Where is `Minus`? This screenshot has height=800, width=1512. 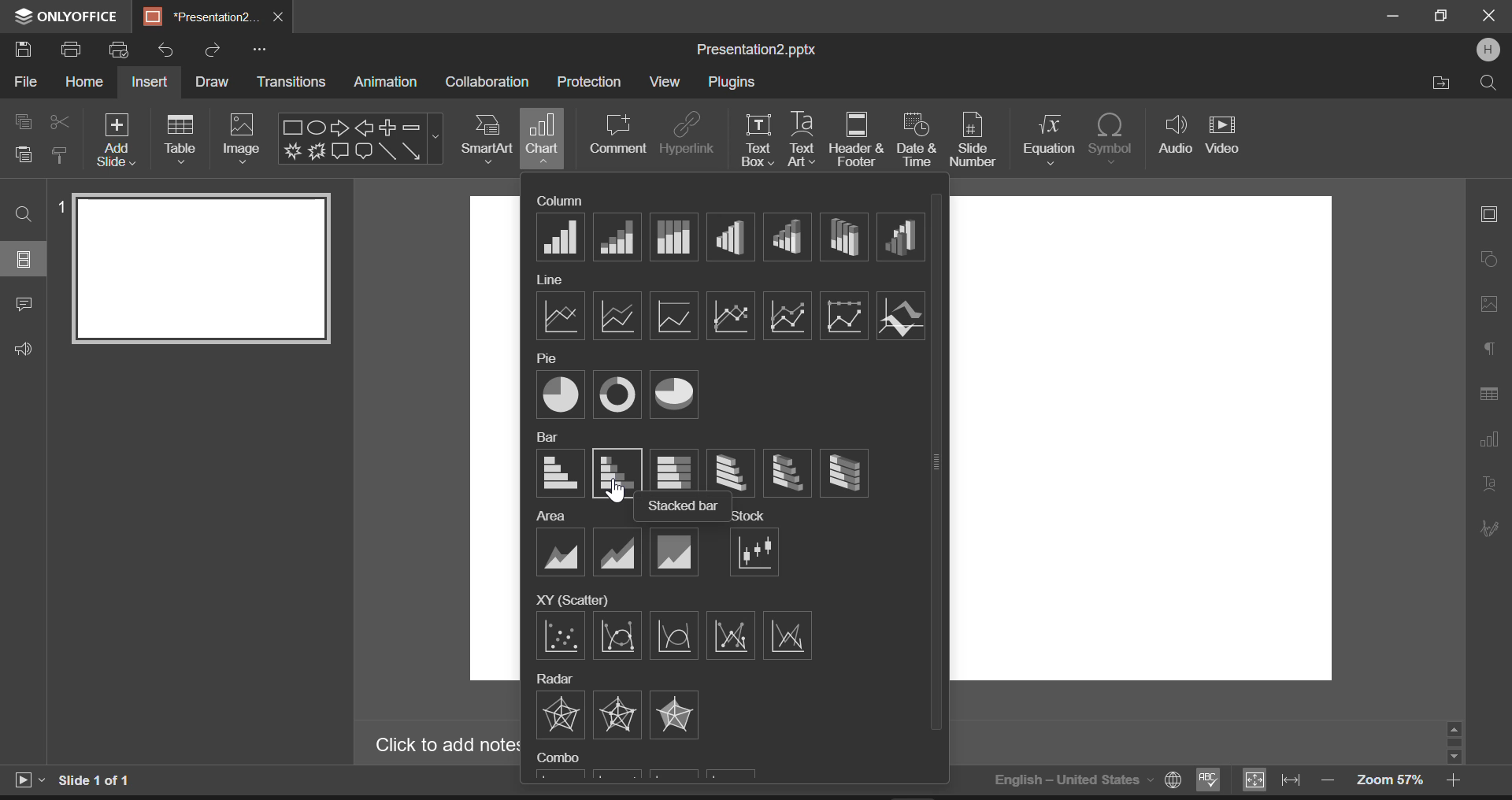 Minus is located at coordinates (412, 128).